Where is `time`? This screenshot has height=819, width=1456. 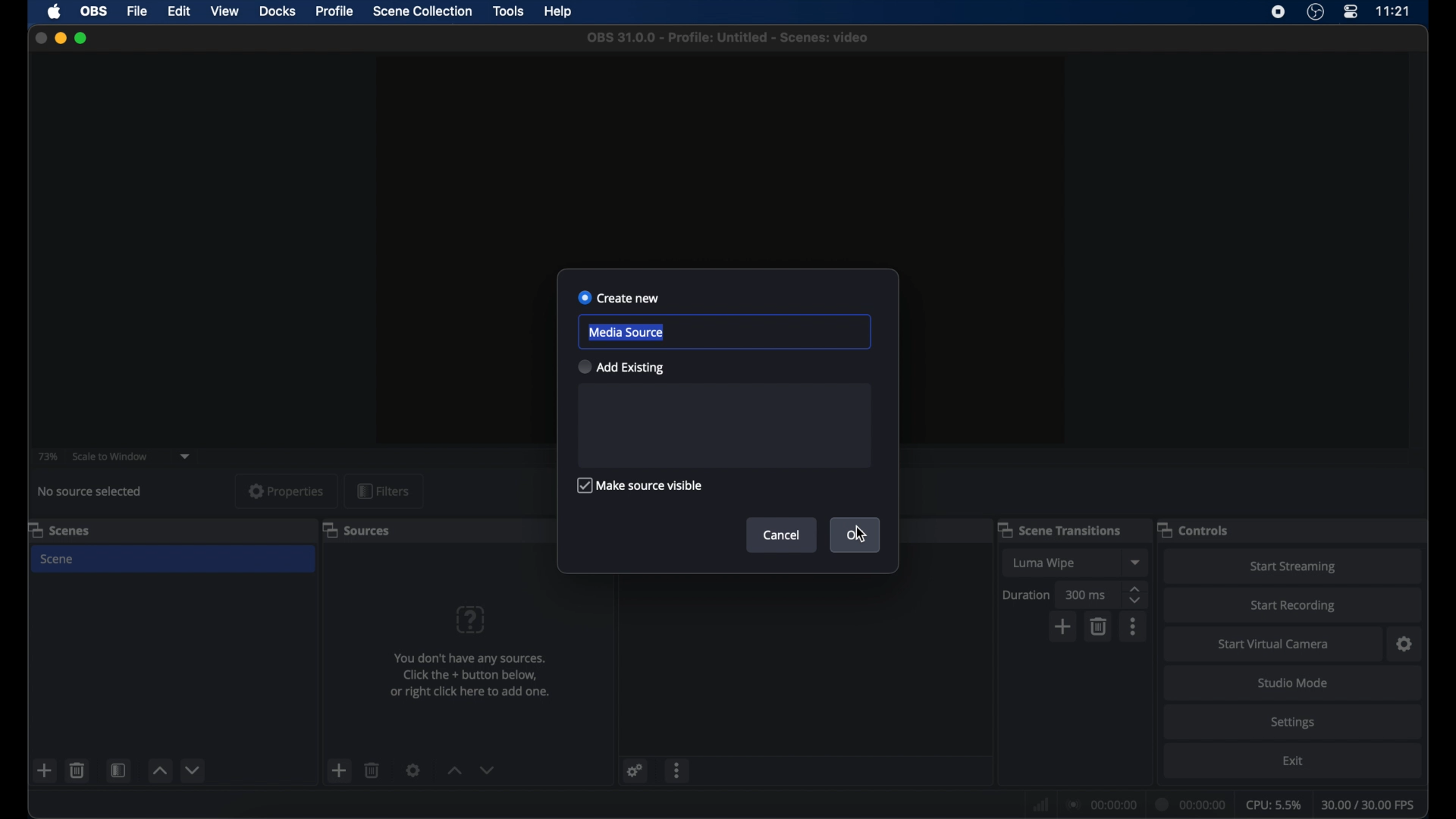 time is located at coordinates (1394, 11).